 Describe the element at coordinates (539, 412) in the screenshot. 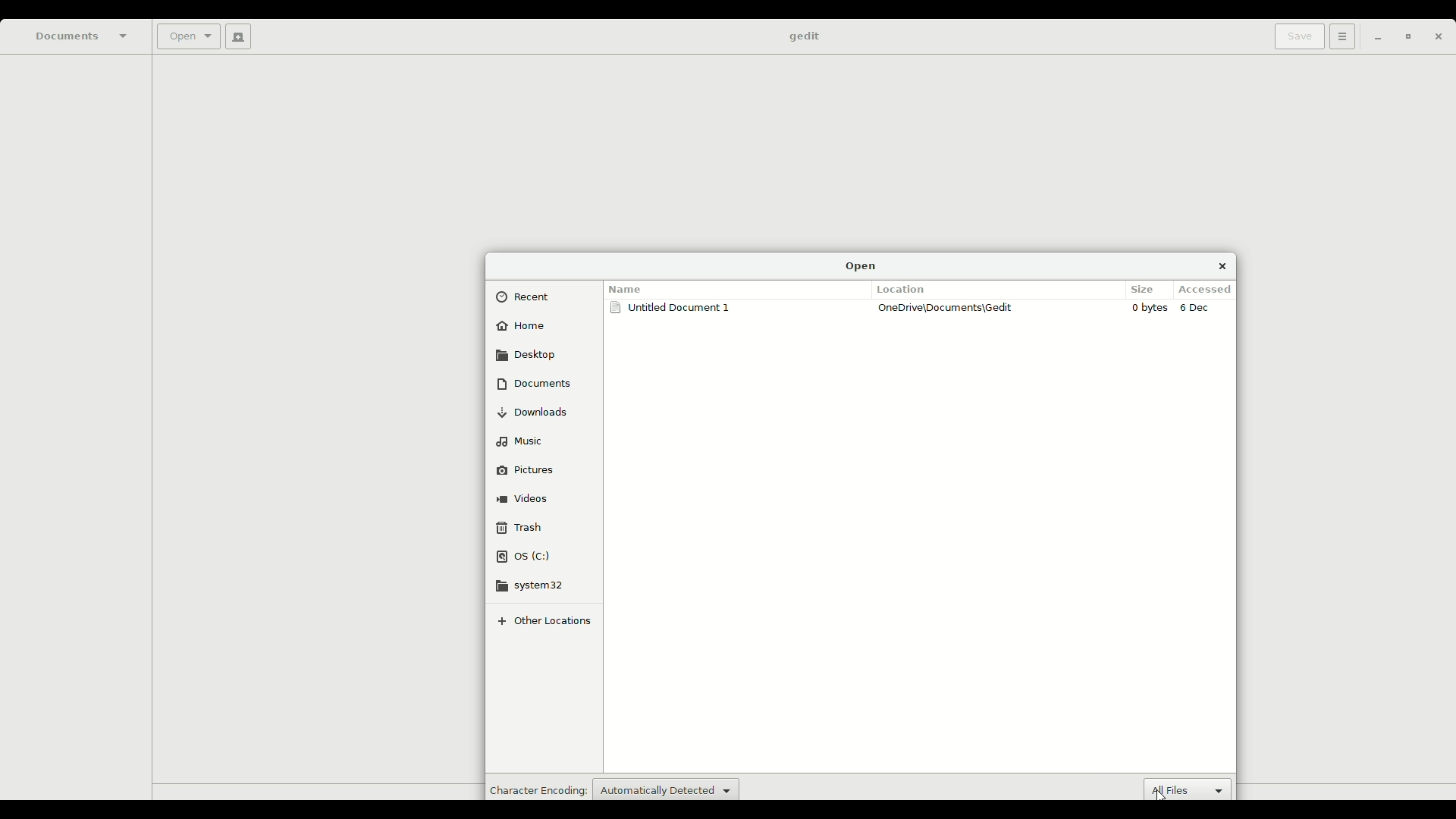

I see `Downloads` at that location.